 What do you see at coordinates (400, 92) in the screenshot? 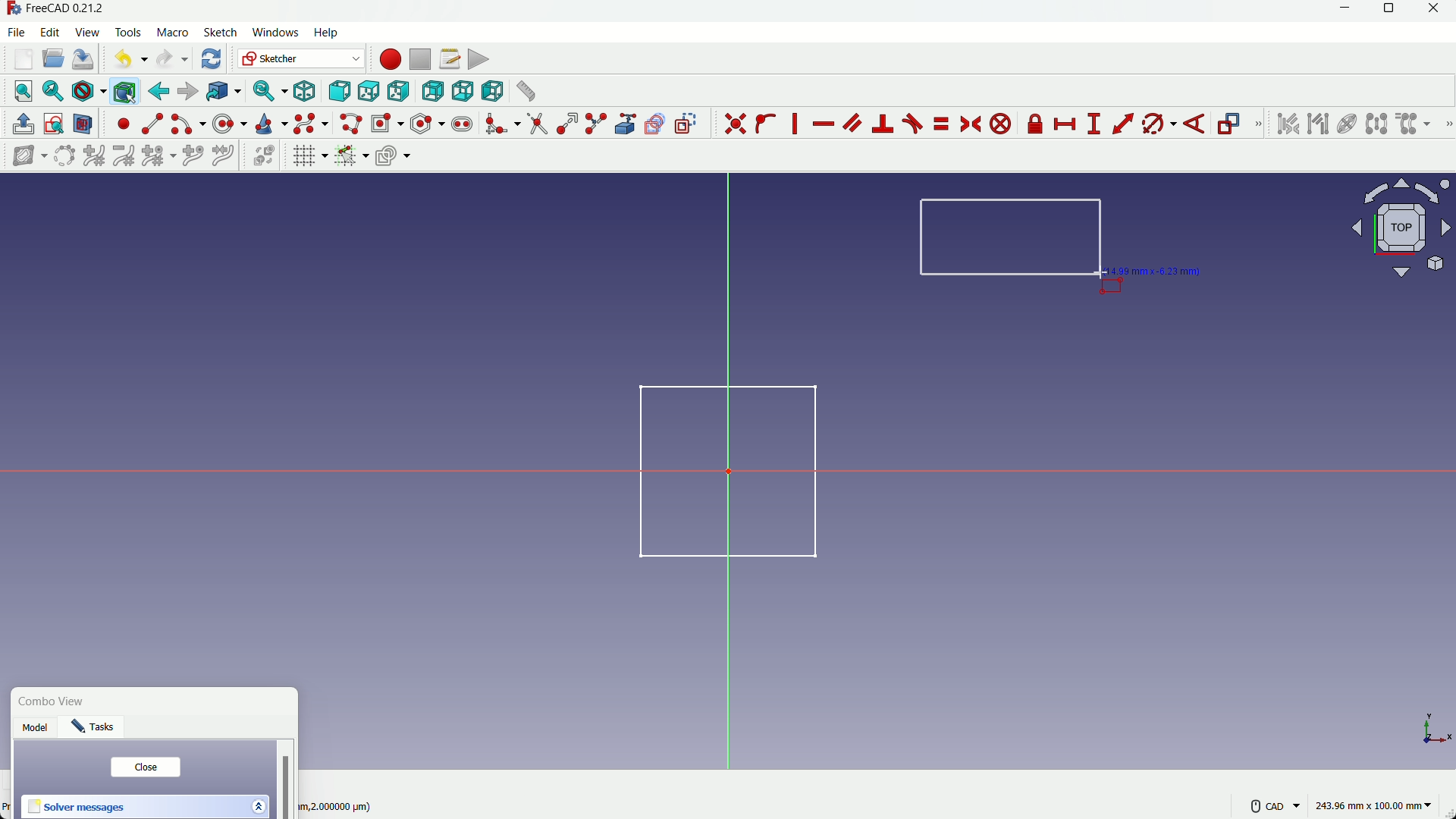
I see `right view` at bounding box center [400, 92].